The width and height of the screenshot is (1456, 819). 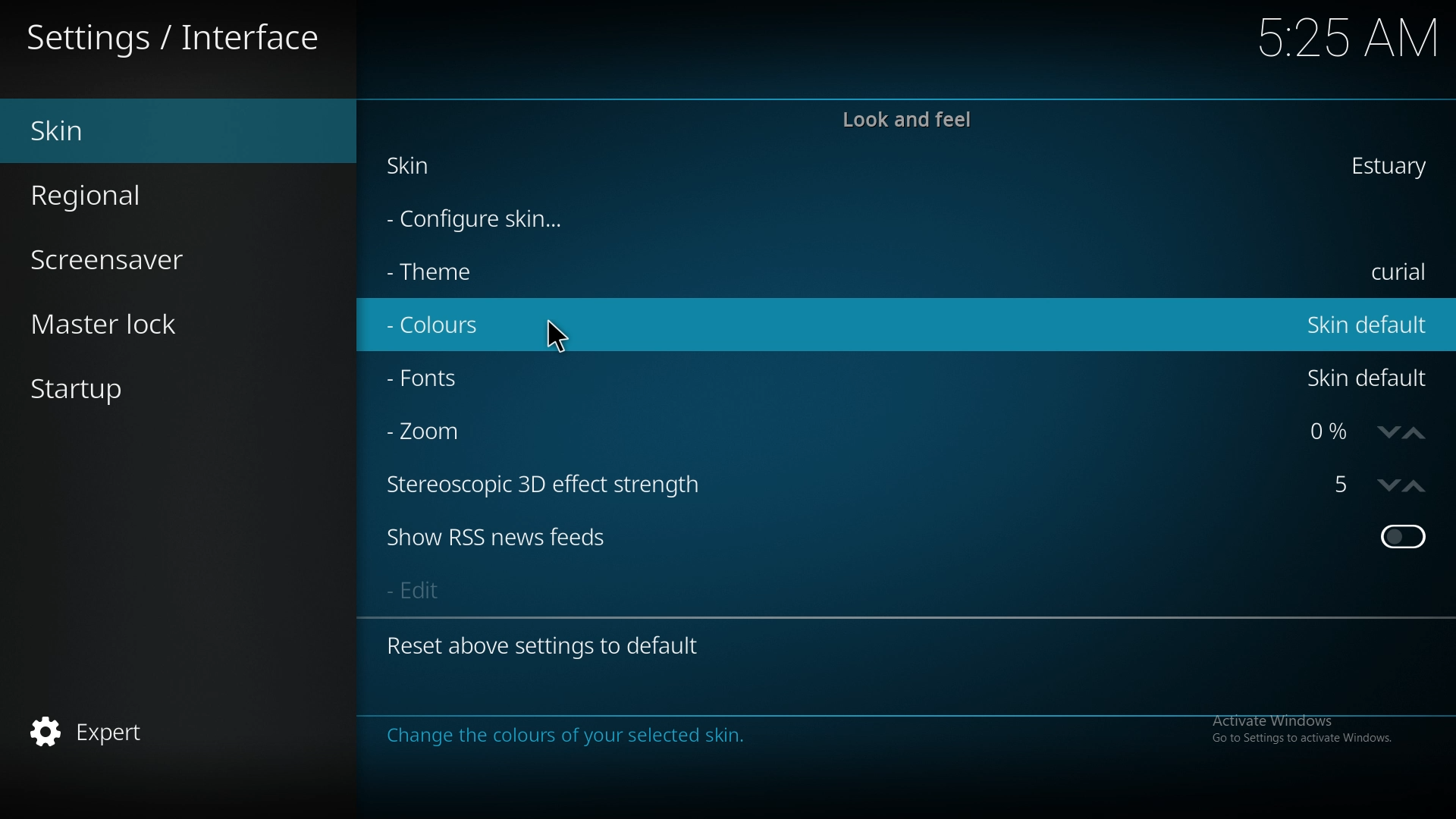 I want to click on time, so click(x=1332, y=37).